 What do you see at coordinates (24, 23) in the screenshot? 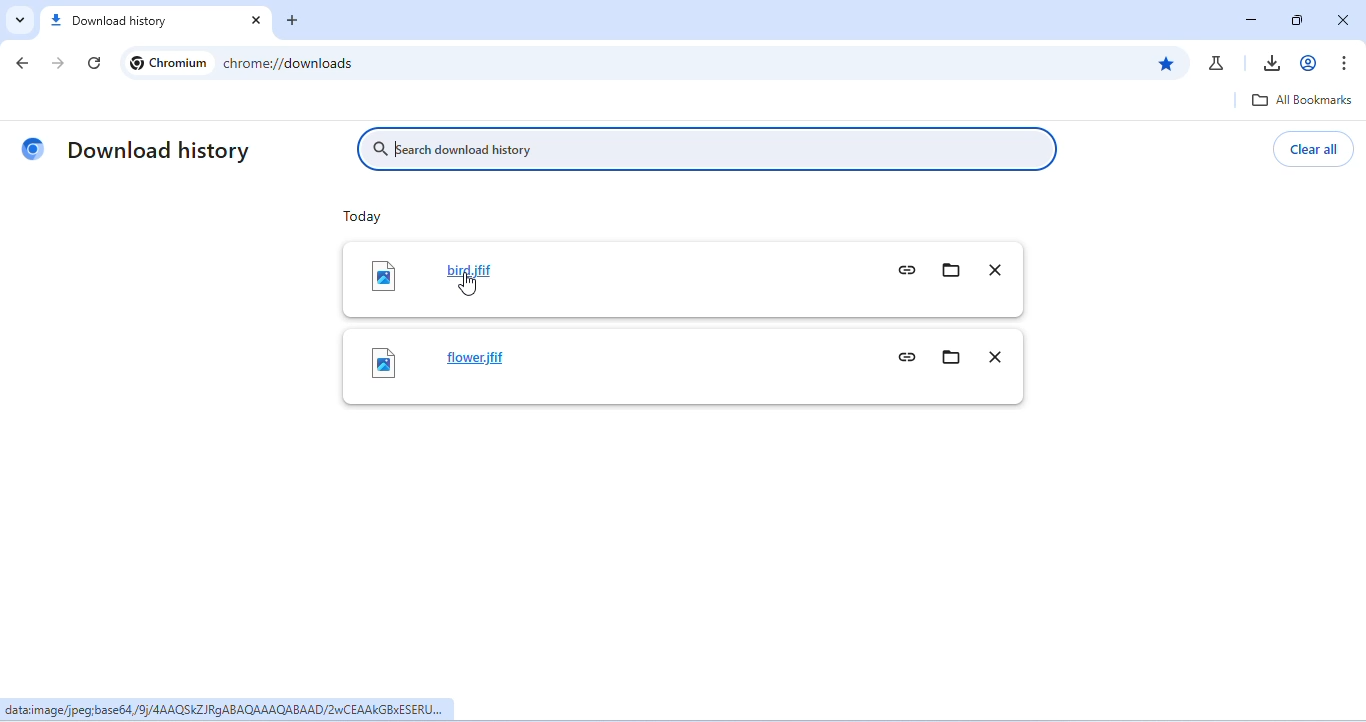
I see `search tab` at bounding box center [24, 23].